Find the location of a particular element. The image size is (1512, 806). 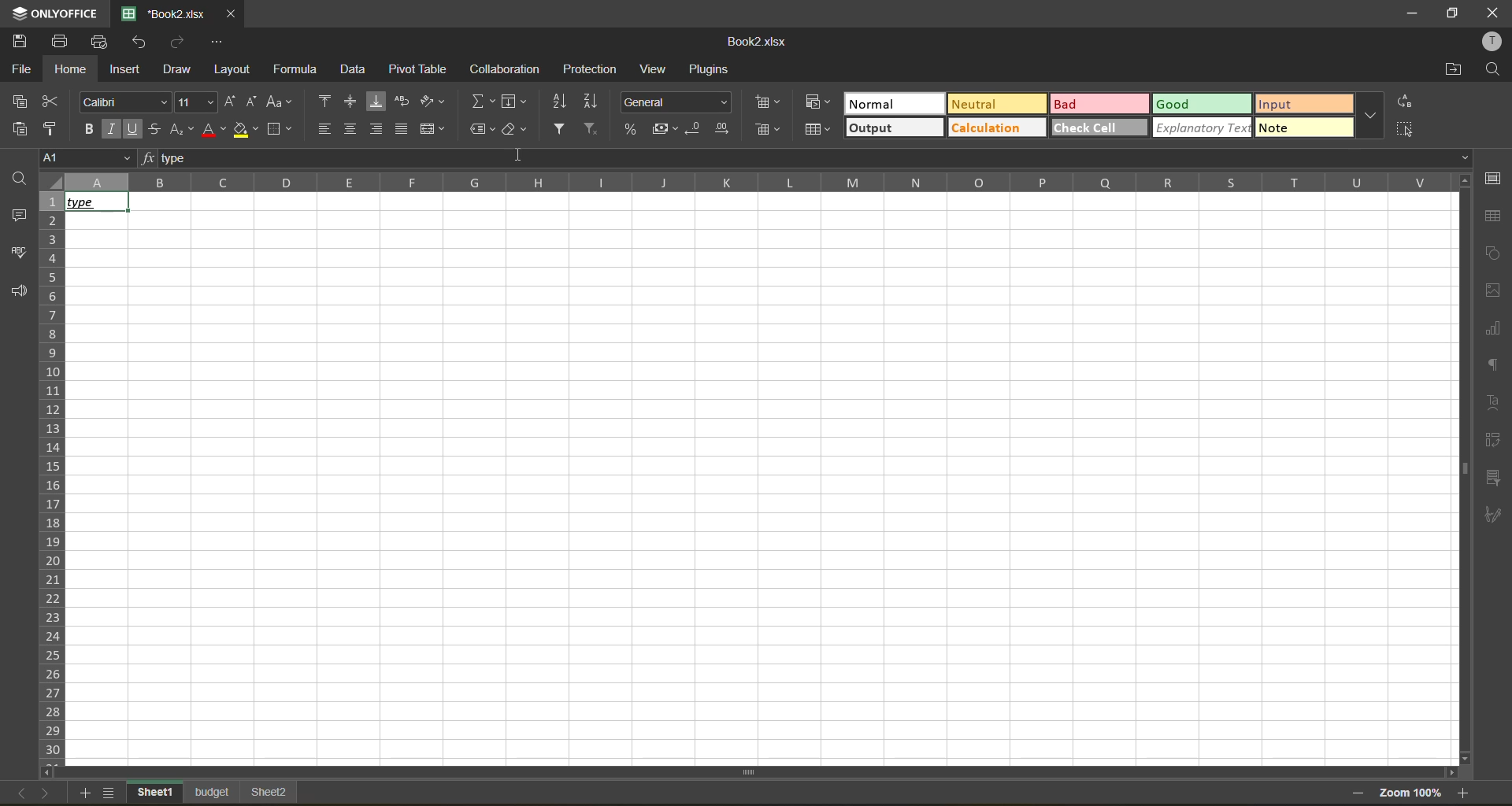

slicer is located at coordinates (1496, 478).